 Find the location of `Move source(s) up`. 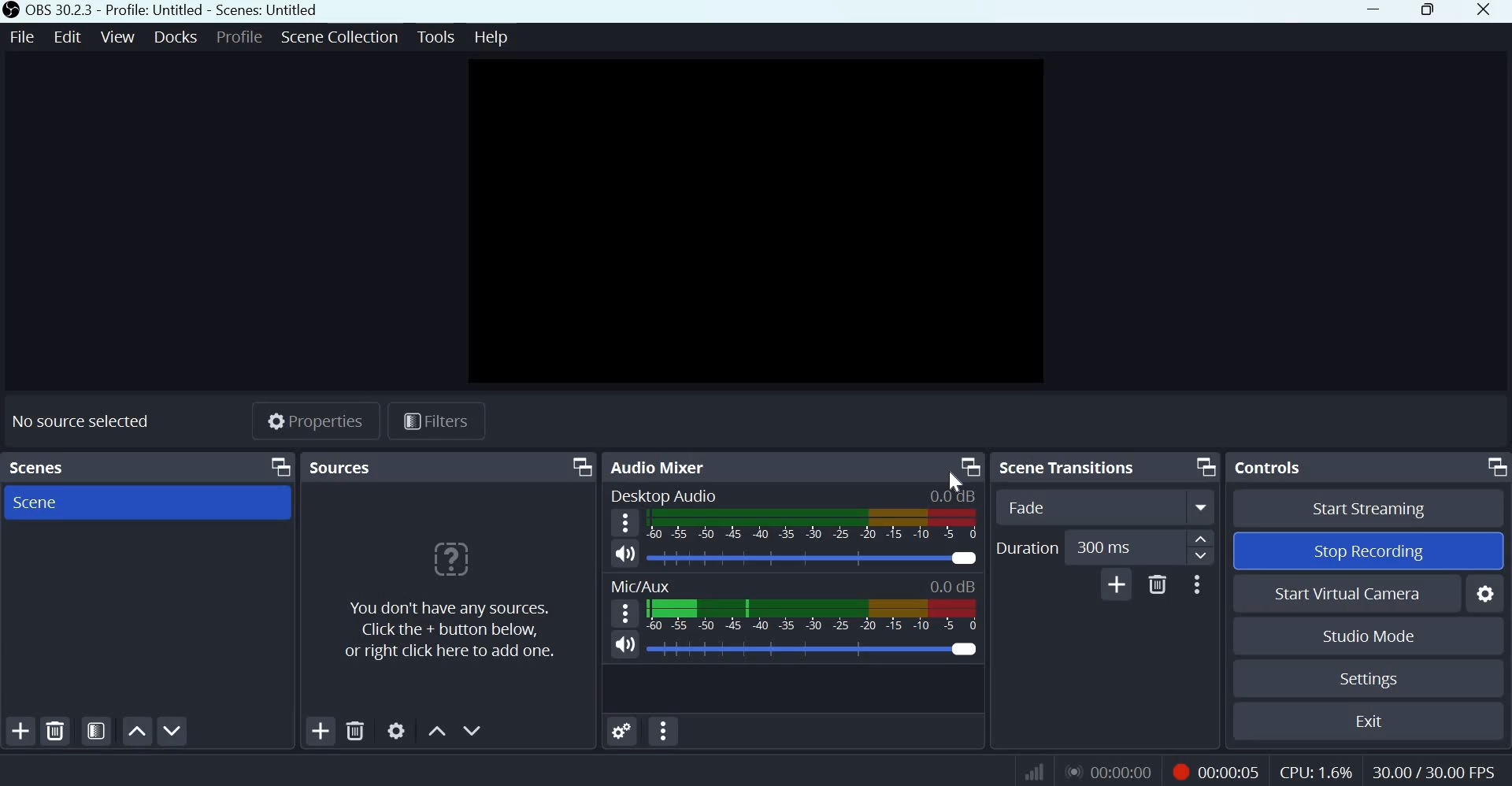

Move source(s) up is located at coordinates (438, 730).